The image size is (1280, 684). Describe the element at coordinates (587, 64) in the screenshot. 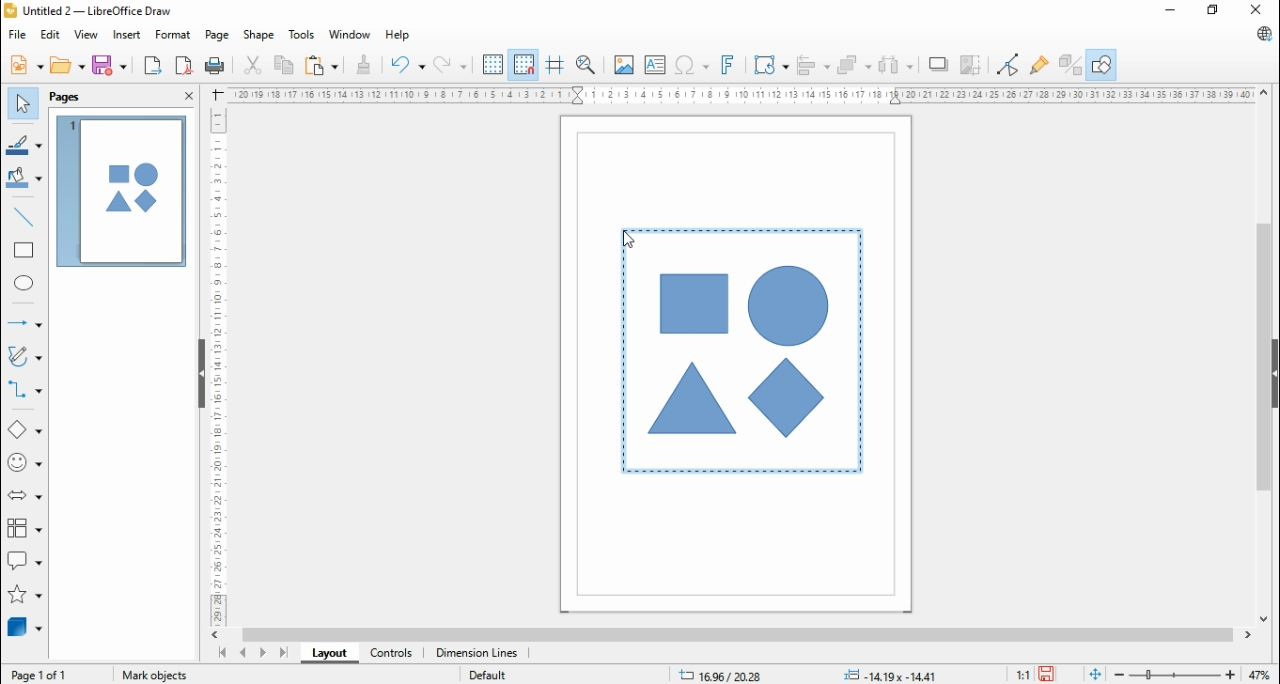

I see `pan and zoom` at that location.